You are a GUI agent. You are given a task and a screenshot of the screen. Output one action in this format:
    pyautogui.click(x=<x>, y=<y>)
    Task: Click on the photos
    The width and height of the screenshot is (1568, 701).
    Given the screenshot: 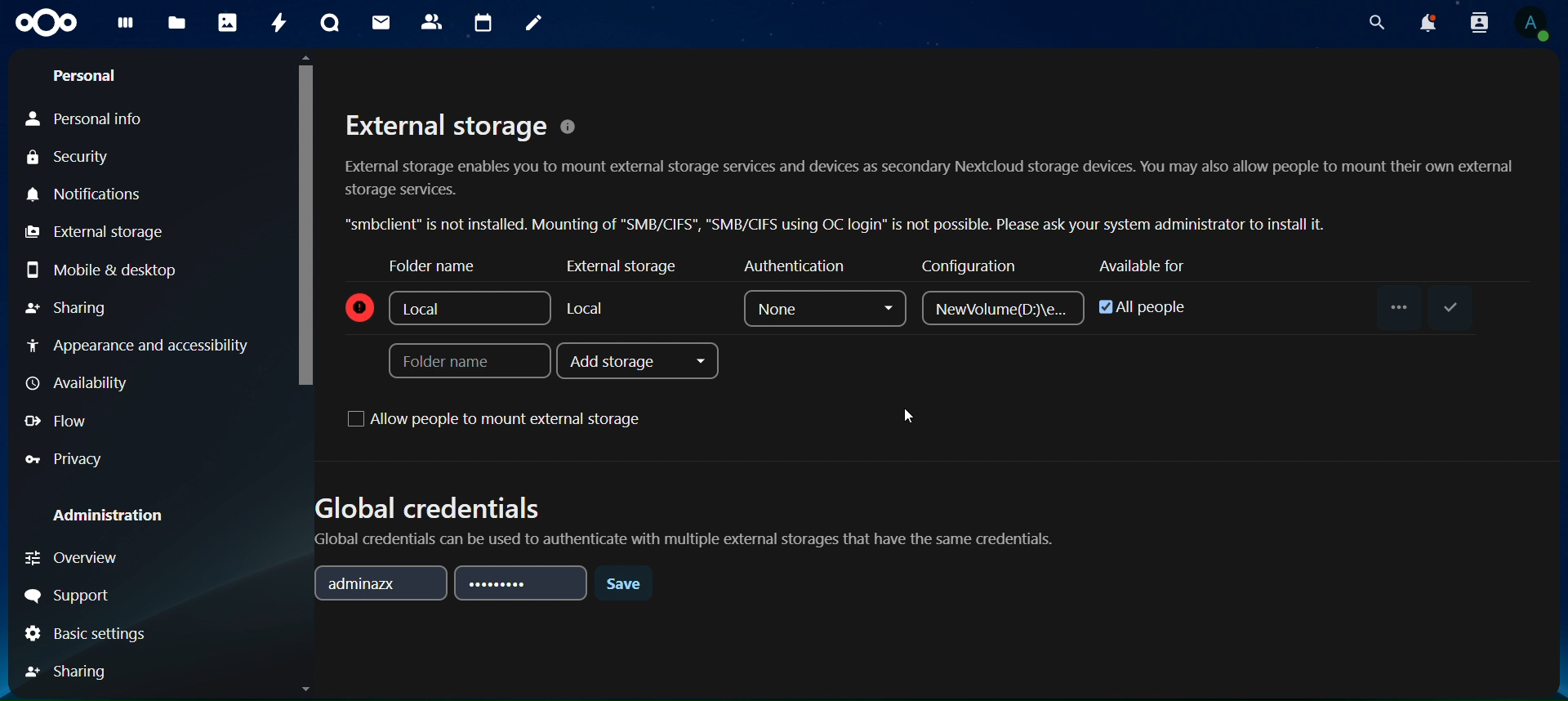 What is the action you would take?
    pyautogui.click(x=229, y=23)
    